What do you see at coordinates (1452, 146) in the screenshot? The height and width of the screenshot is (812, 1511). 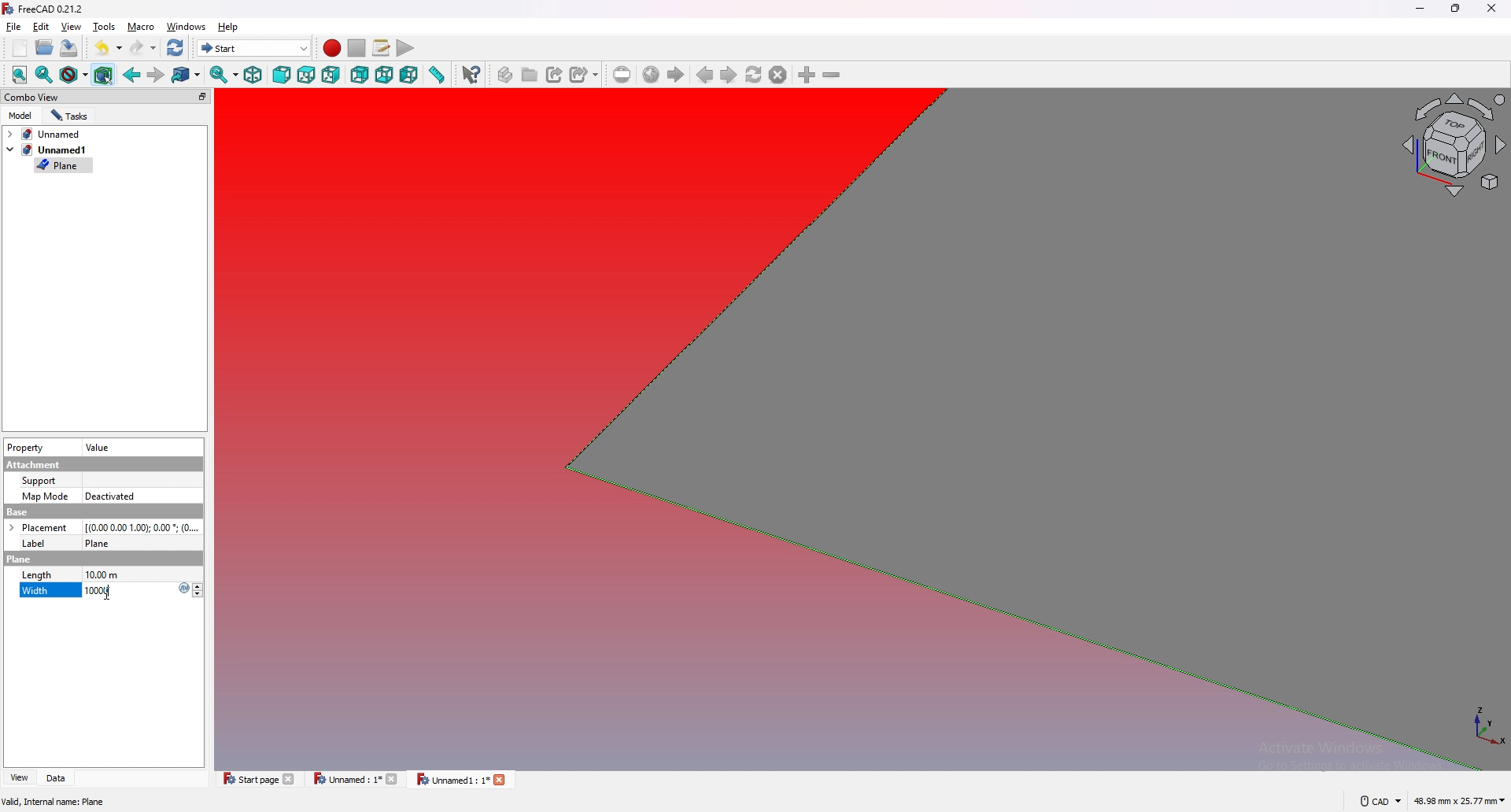 I see `navigation cube` at bounding box center [1452, 146].